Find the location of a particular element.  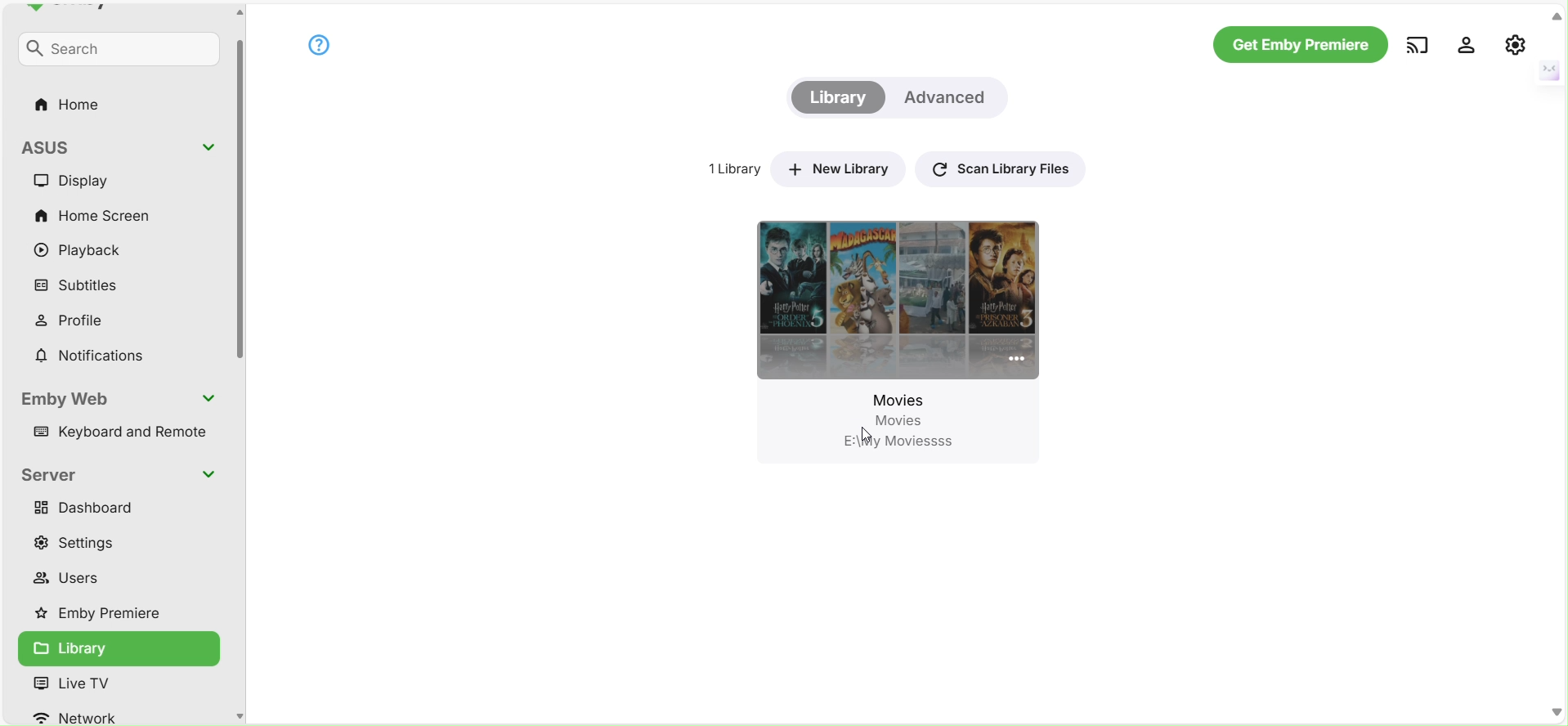

Home Screen is located at coordinates (99, 215).